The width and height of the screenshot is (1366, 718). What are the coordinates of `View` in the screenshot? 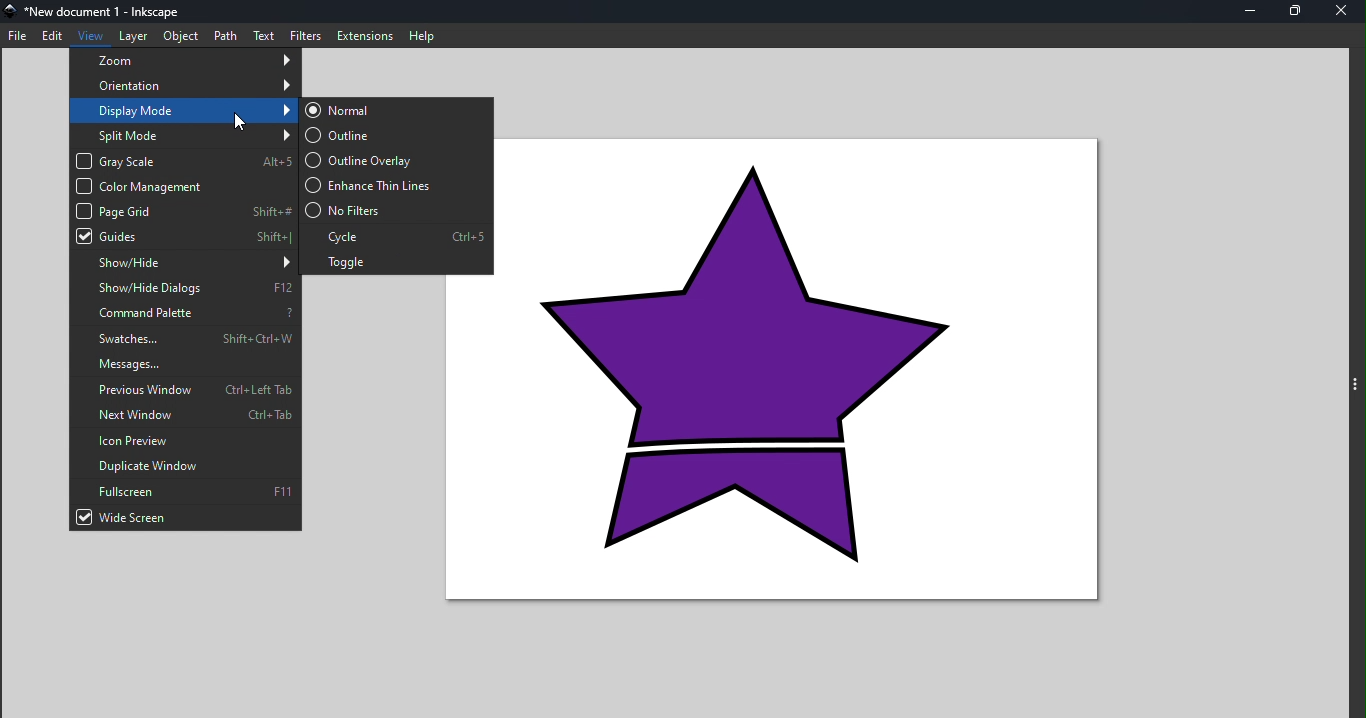 It's located at (93, 34).